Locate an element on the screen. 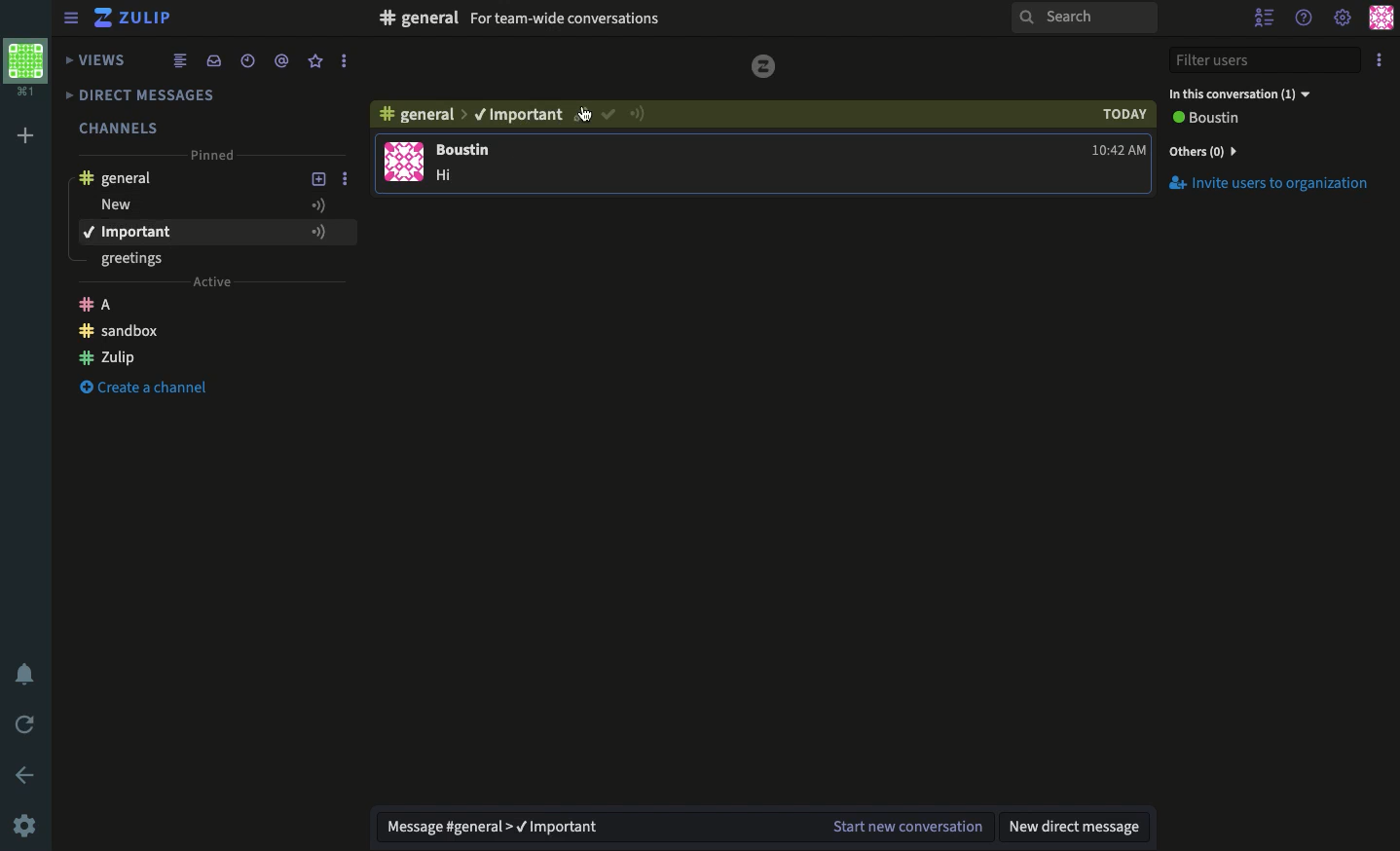  Hide user list is located at coordinates (1264, 18).